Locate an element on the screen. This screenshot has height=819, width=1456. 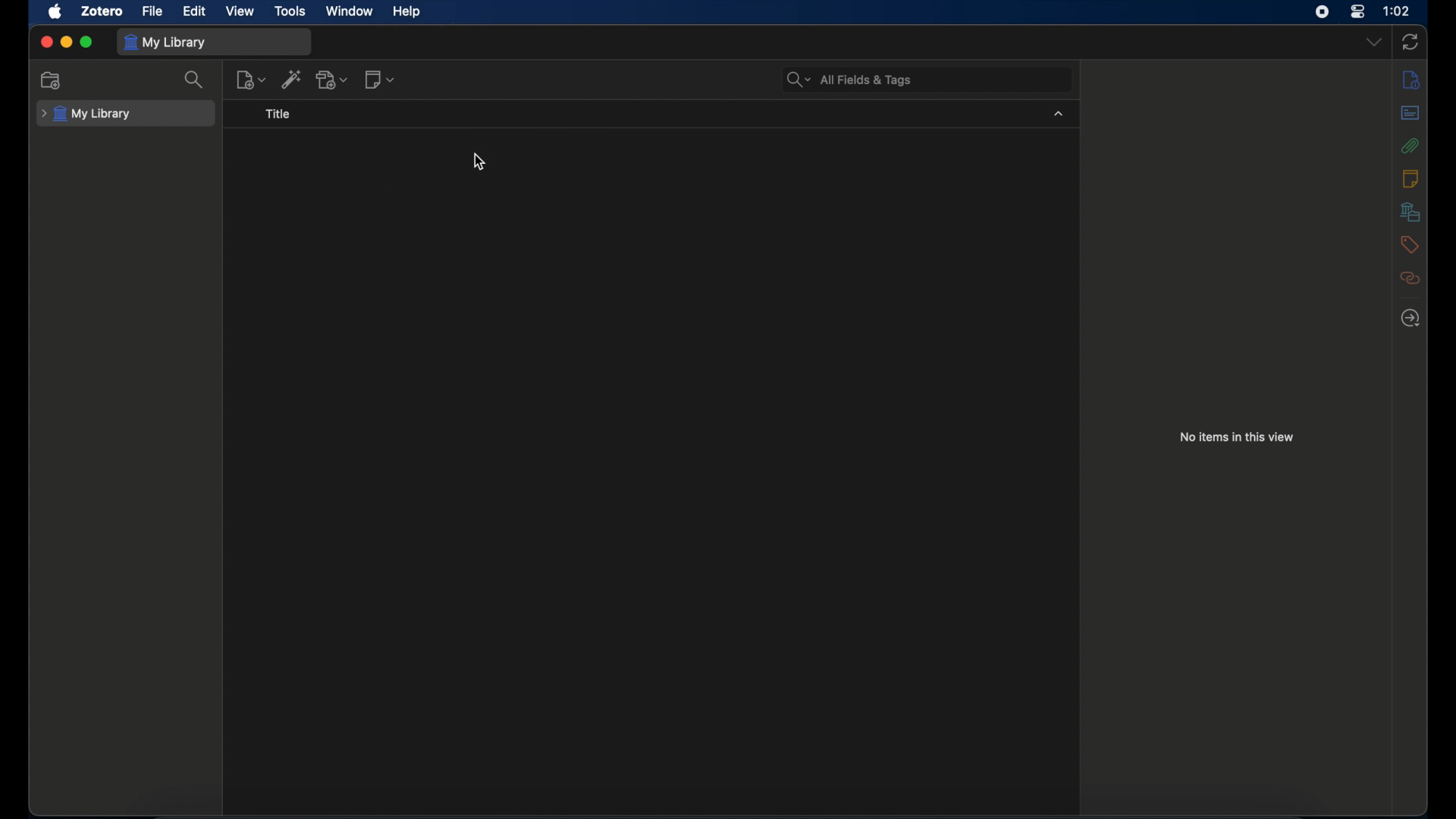
add item by identifier is located at coordinates (292, 79).